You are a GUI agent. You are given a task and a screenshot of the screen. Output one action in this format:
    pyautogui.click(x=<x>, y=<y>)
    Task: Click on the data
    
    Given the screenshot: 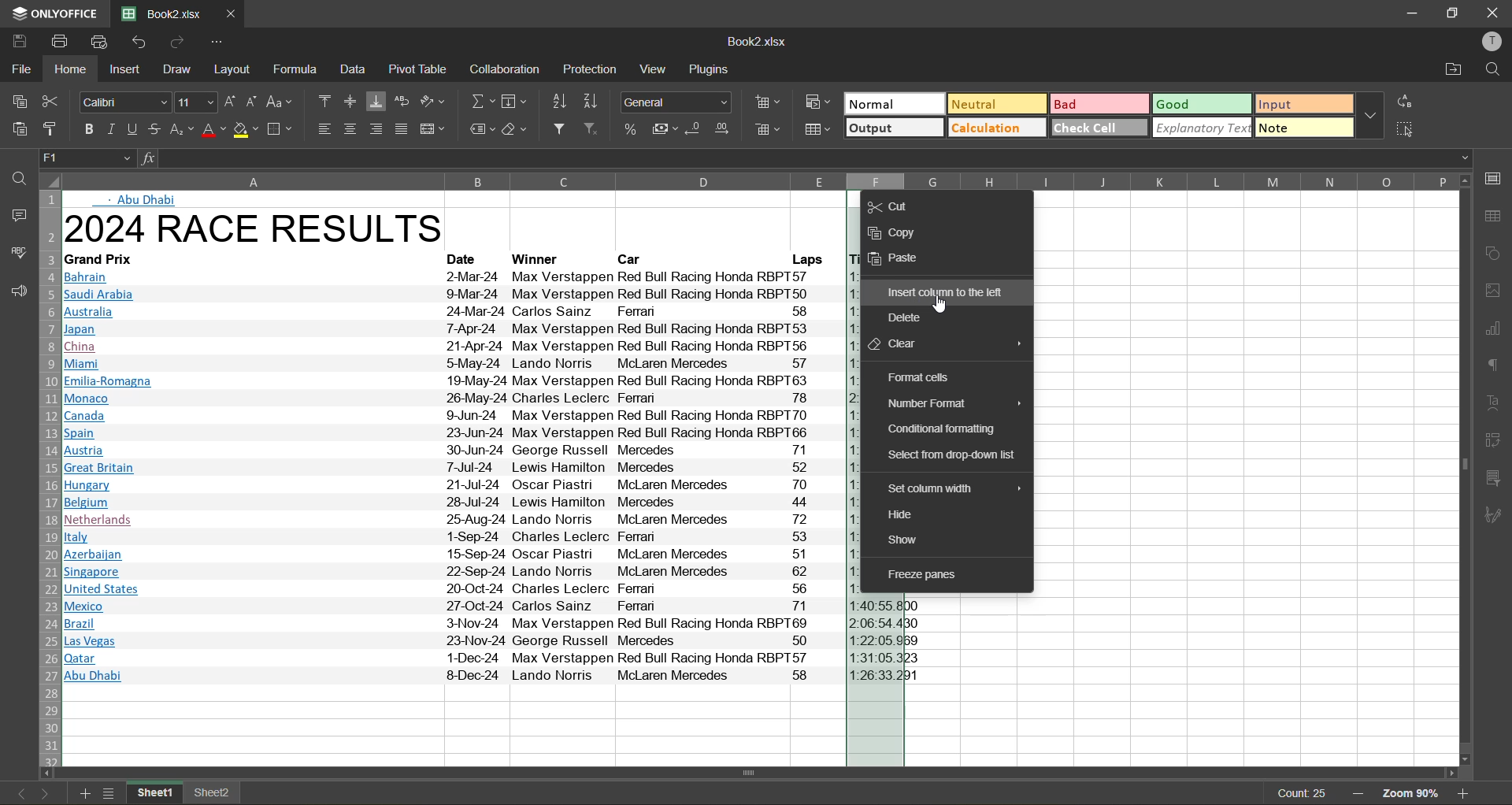 What is the action you would take?
    pyautogui.click(x=351, y=69)
    